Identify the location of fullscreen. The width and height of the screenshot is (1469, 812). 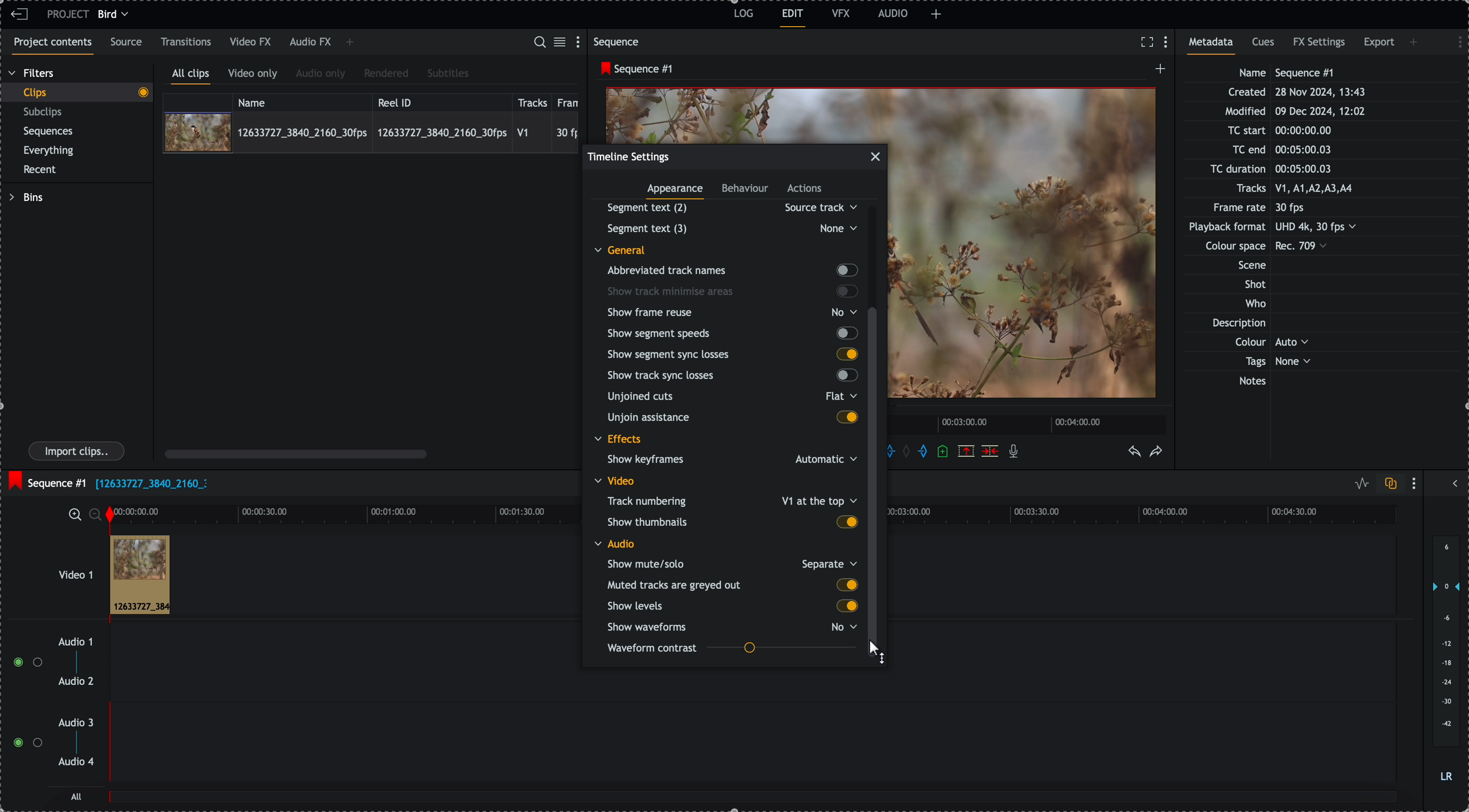
(1147, 42).